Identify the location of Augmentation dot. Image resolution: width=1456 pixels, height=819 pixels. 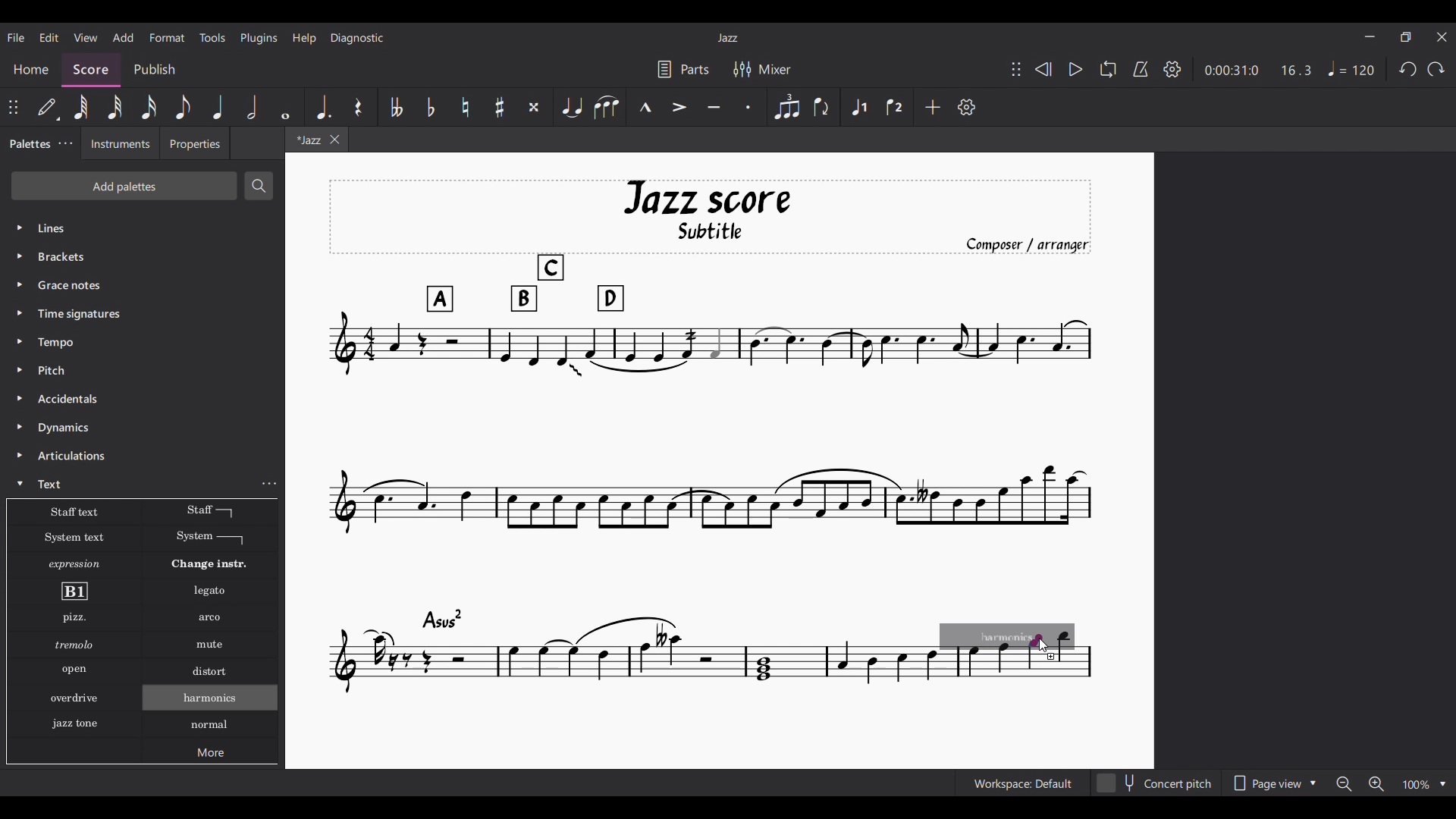
(322, 107).